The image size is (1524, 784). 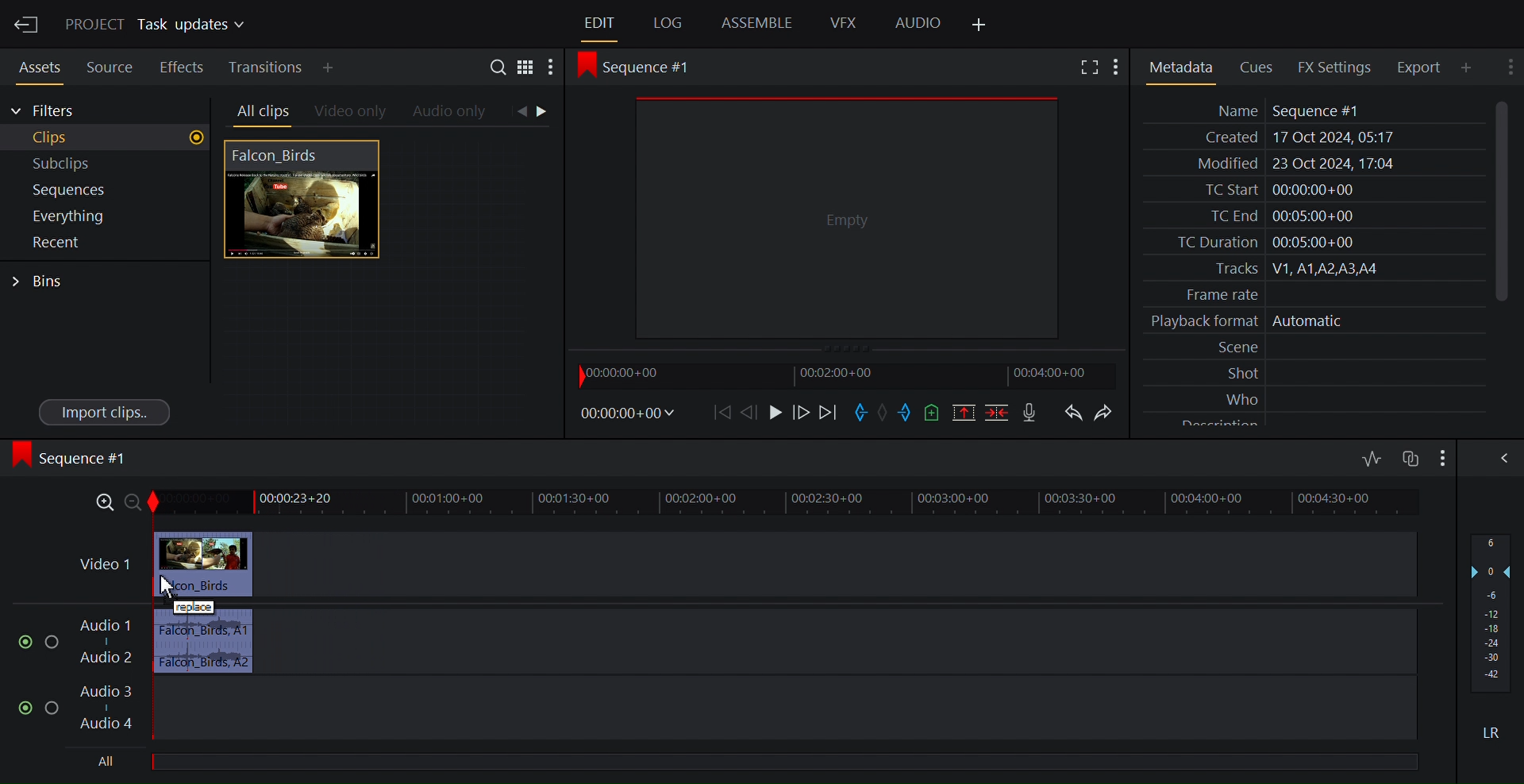 What do you see at coordinates (1312, 243) in the screenshot?
I see `TC Duration` at bounding box center [1312, 243].